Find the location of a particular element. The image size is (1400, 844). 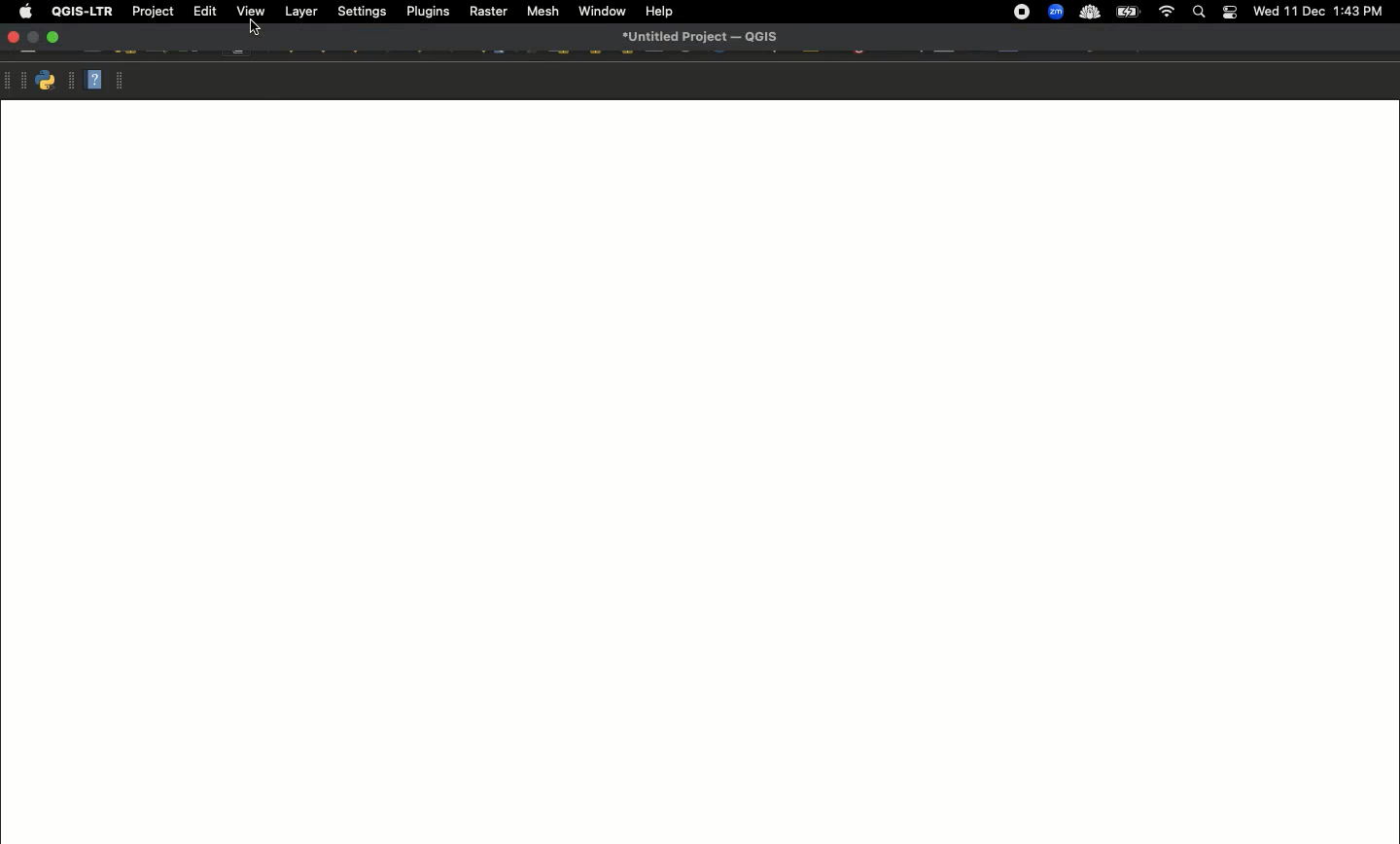

Minimize is located at coordinates (33, 38).